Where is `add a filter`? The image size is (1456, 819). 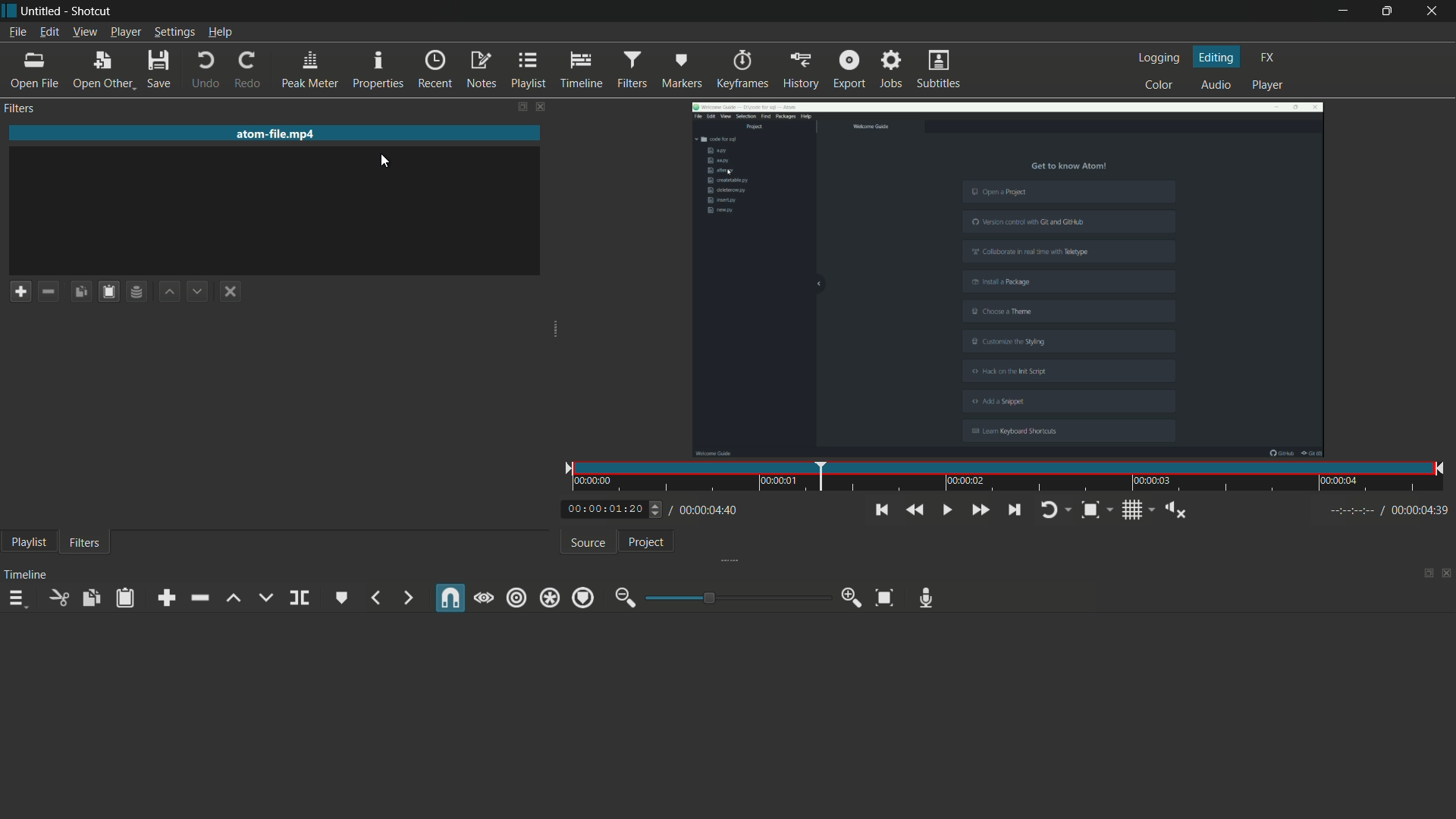 add a filter is located at coordinates (20, 292).